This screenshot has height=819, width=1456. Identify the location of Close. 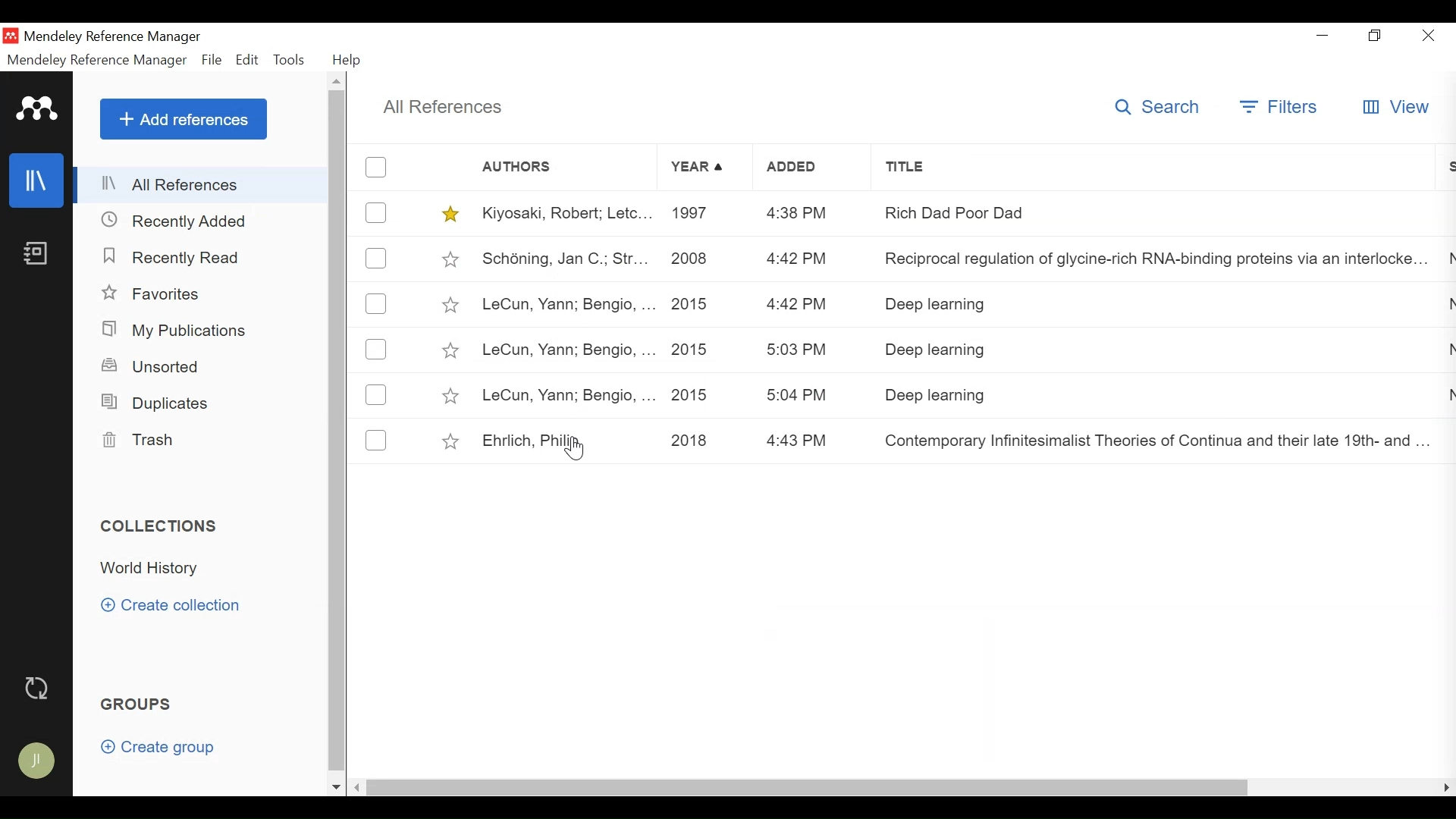
(1425, 36).